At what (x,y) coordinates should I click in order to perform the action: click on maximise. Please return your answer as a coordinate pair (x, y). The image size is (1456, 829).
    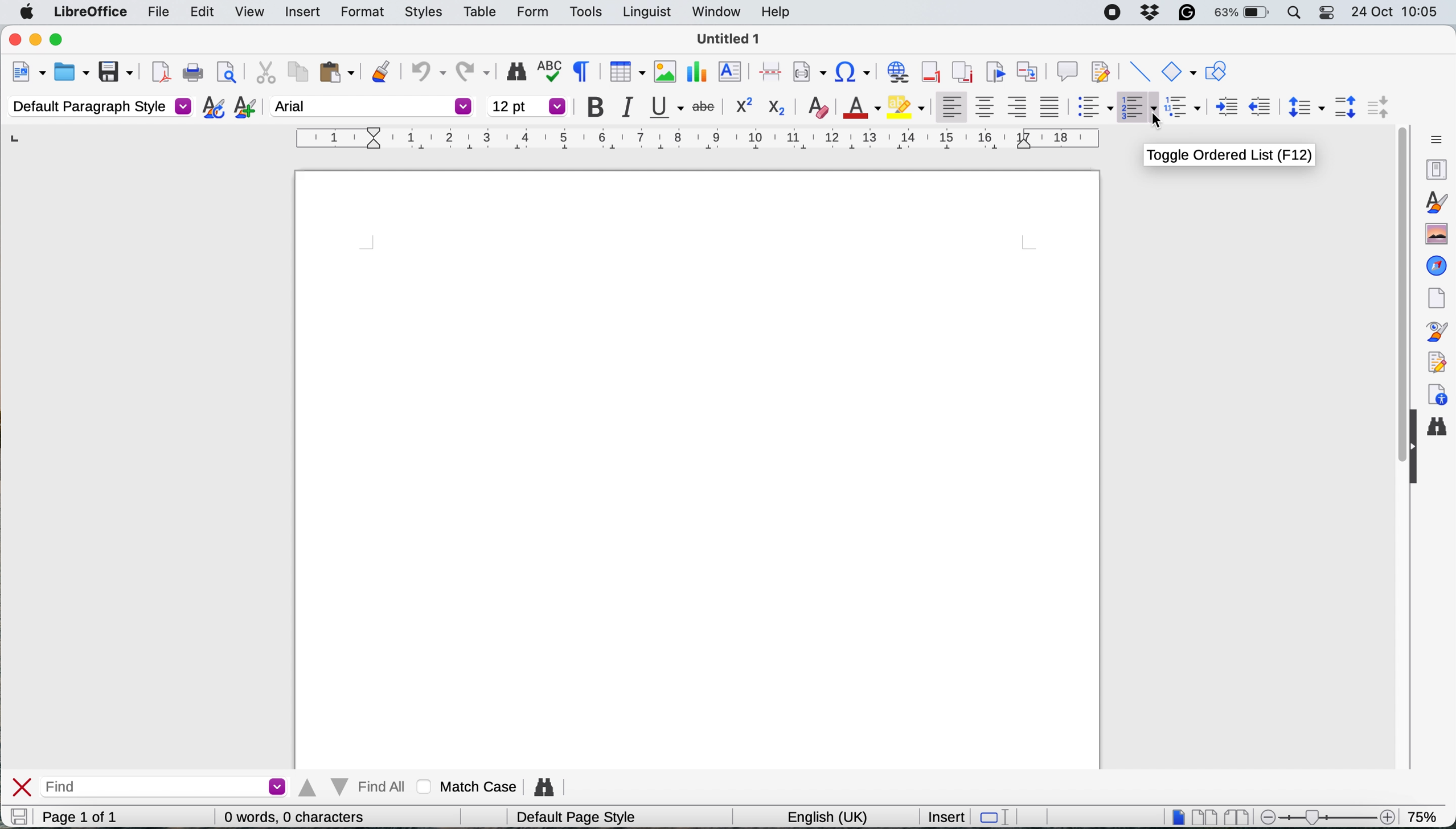
    Looking at the image, I should click on (59, 40).